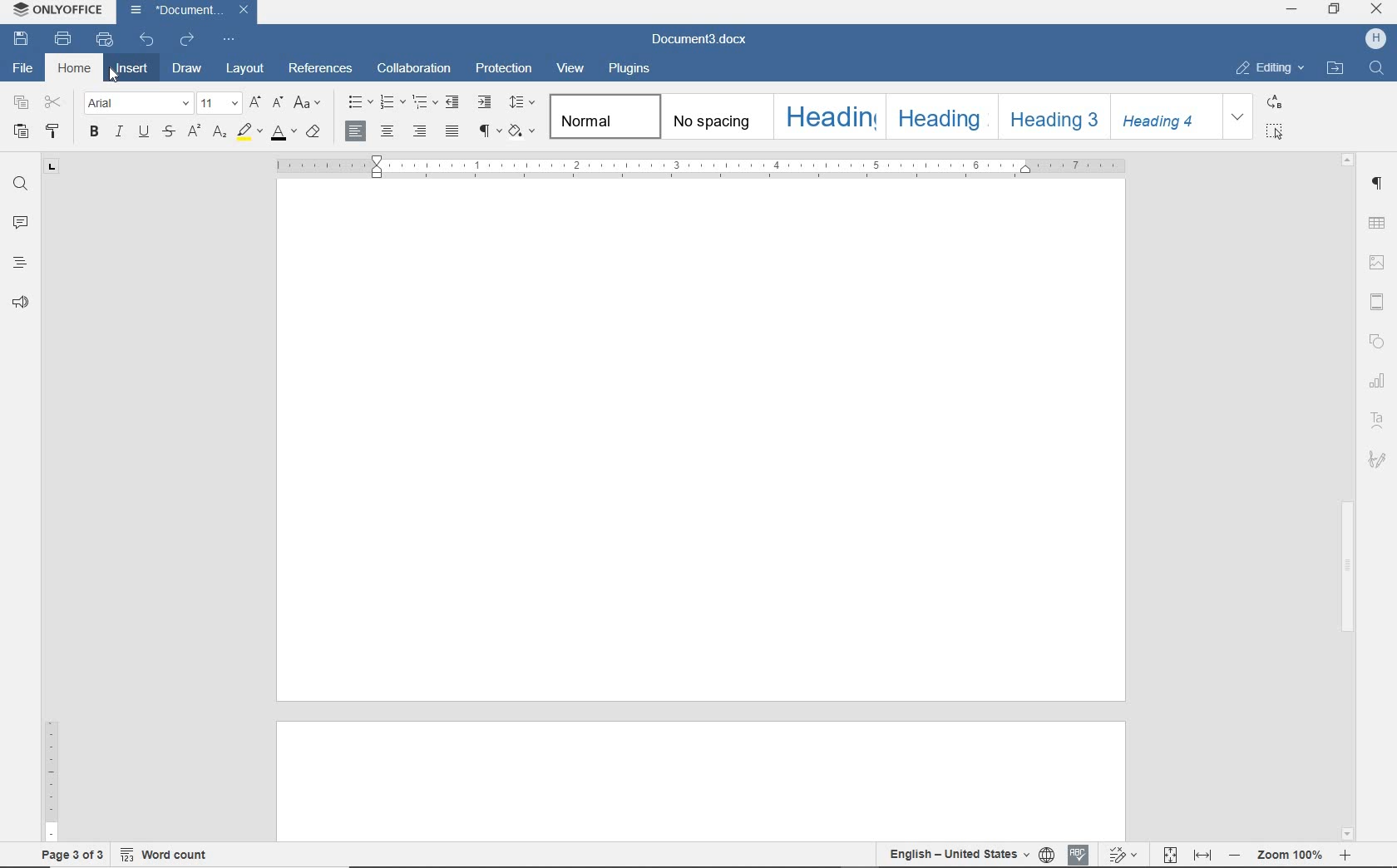 The height and width of the screenshot is (868, 1397). What do you see at coordinates (315, 131) in the screenshot?
I see `CLEAR STYLE` at bounding box center [315, 131].